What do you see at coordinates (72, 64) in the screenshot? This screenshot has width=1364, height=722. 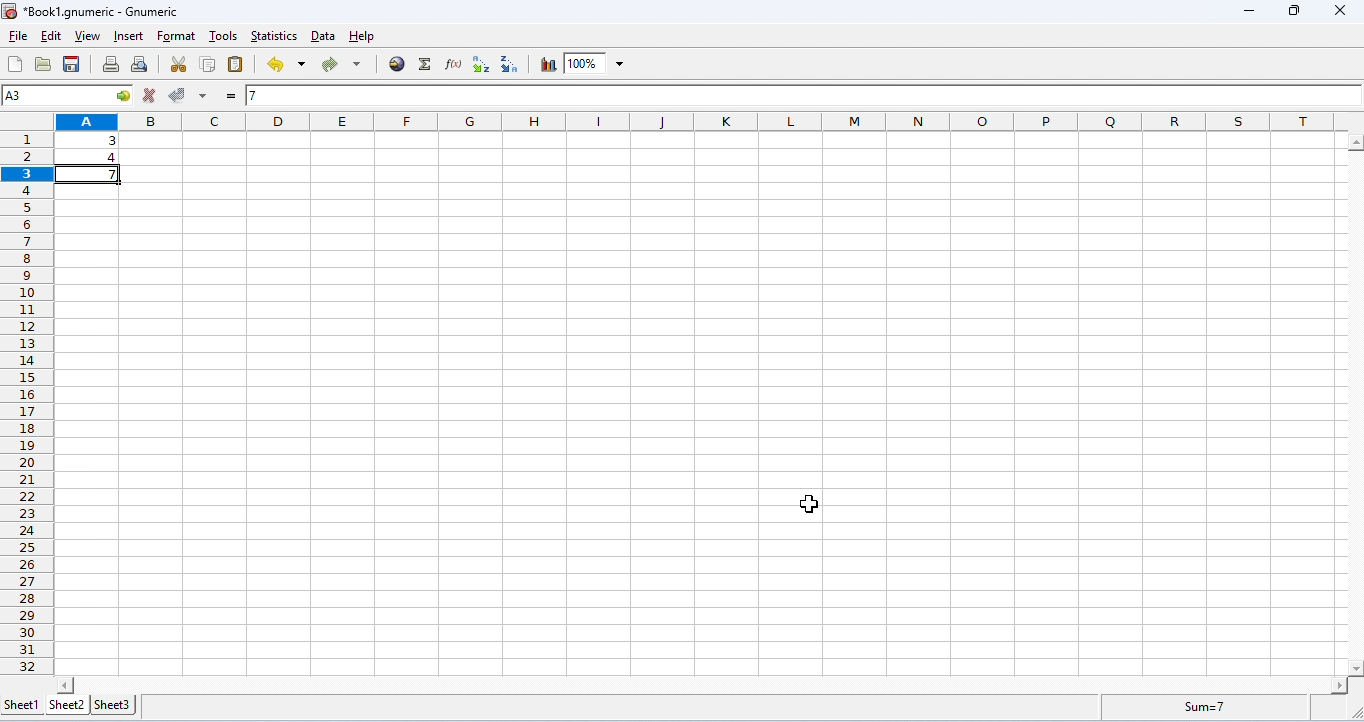 I see `save` at bounding box center [72, 64].